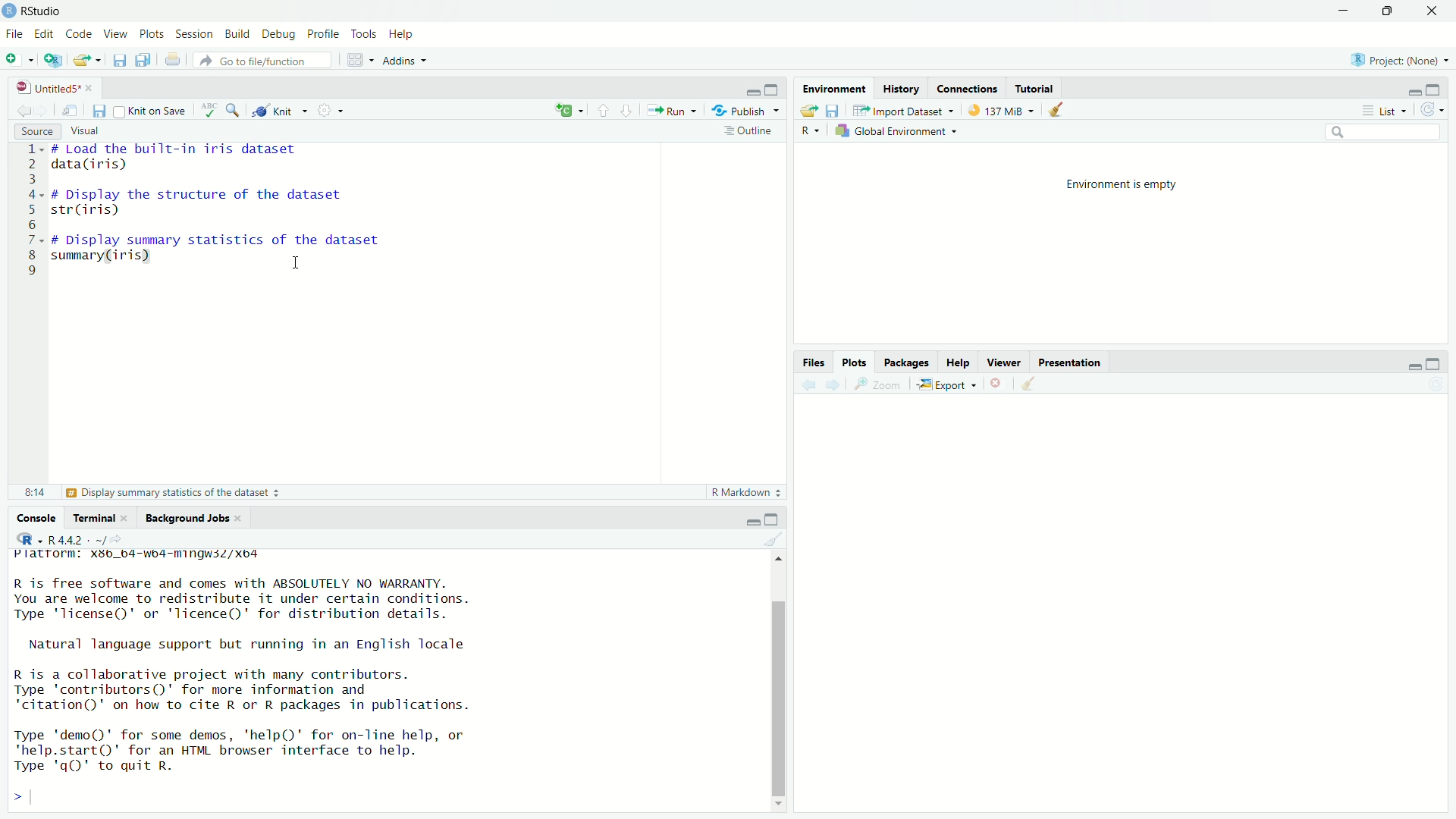 This screenshot has width=1456, height=819. What do you see at coordinates (152, 33) in the screenshot?
I see `Plots` at bounding box center [152, 33].